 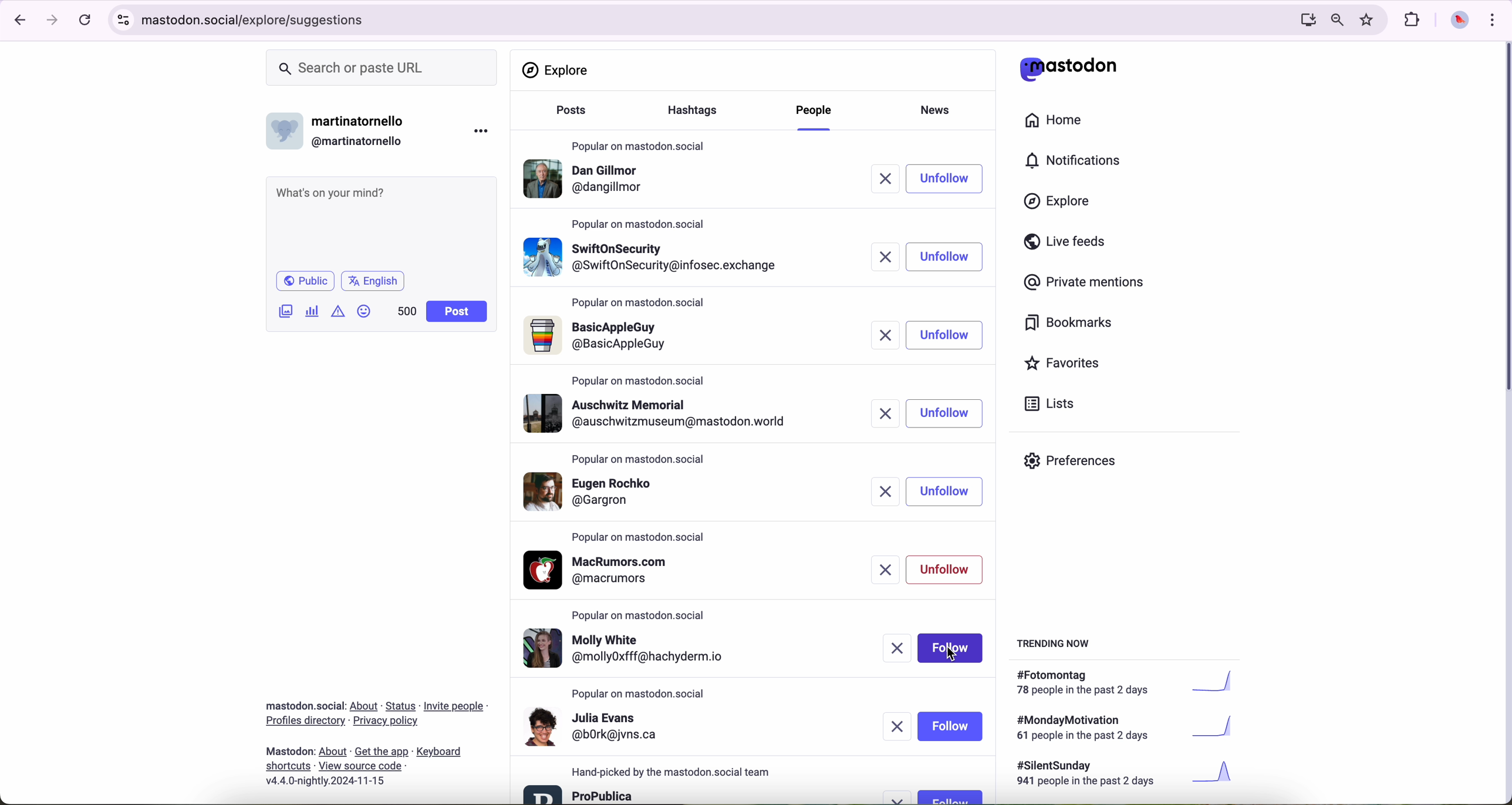 What do you see at coordinates (568, 116) in the screenshot?
I see `posts` at bounding box center [568, 116].